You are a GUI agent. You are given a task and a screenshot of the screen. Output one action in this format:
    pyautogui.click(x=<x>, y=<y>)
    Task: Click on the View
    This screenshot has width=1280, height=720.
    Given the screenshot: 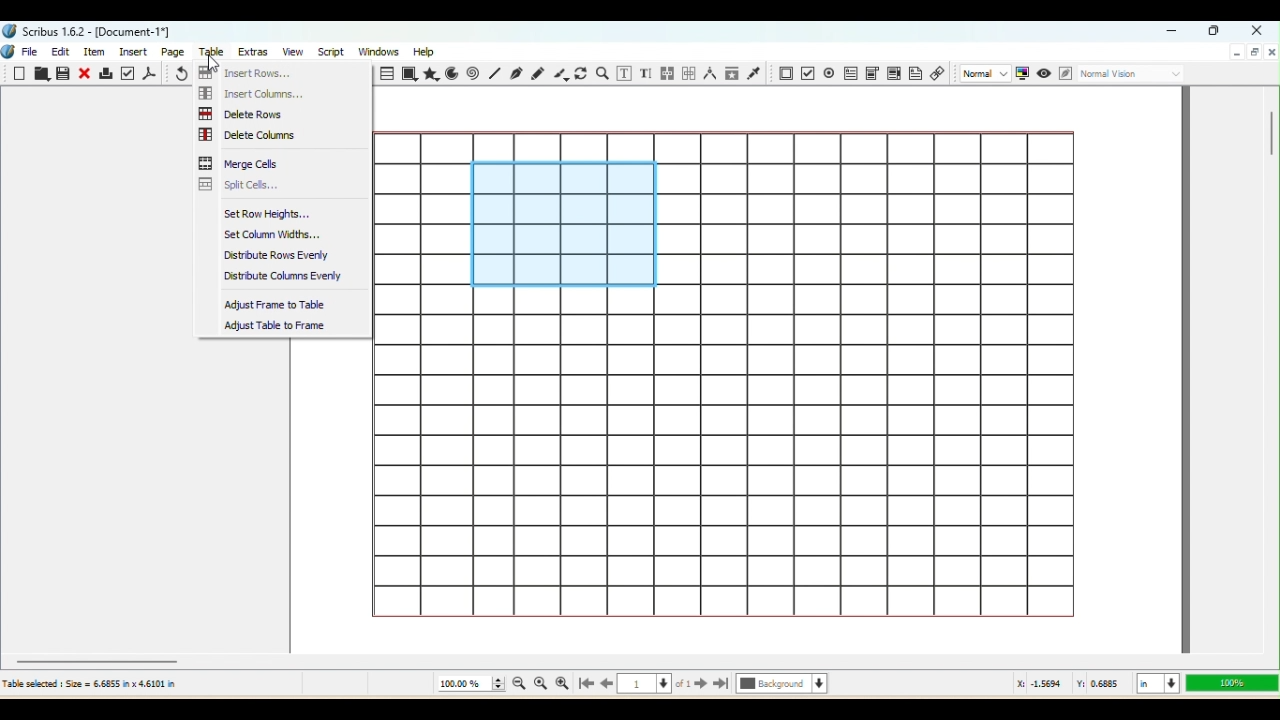 What is the action you would take?
    pyautogui.click(x=290, y=52)
    